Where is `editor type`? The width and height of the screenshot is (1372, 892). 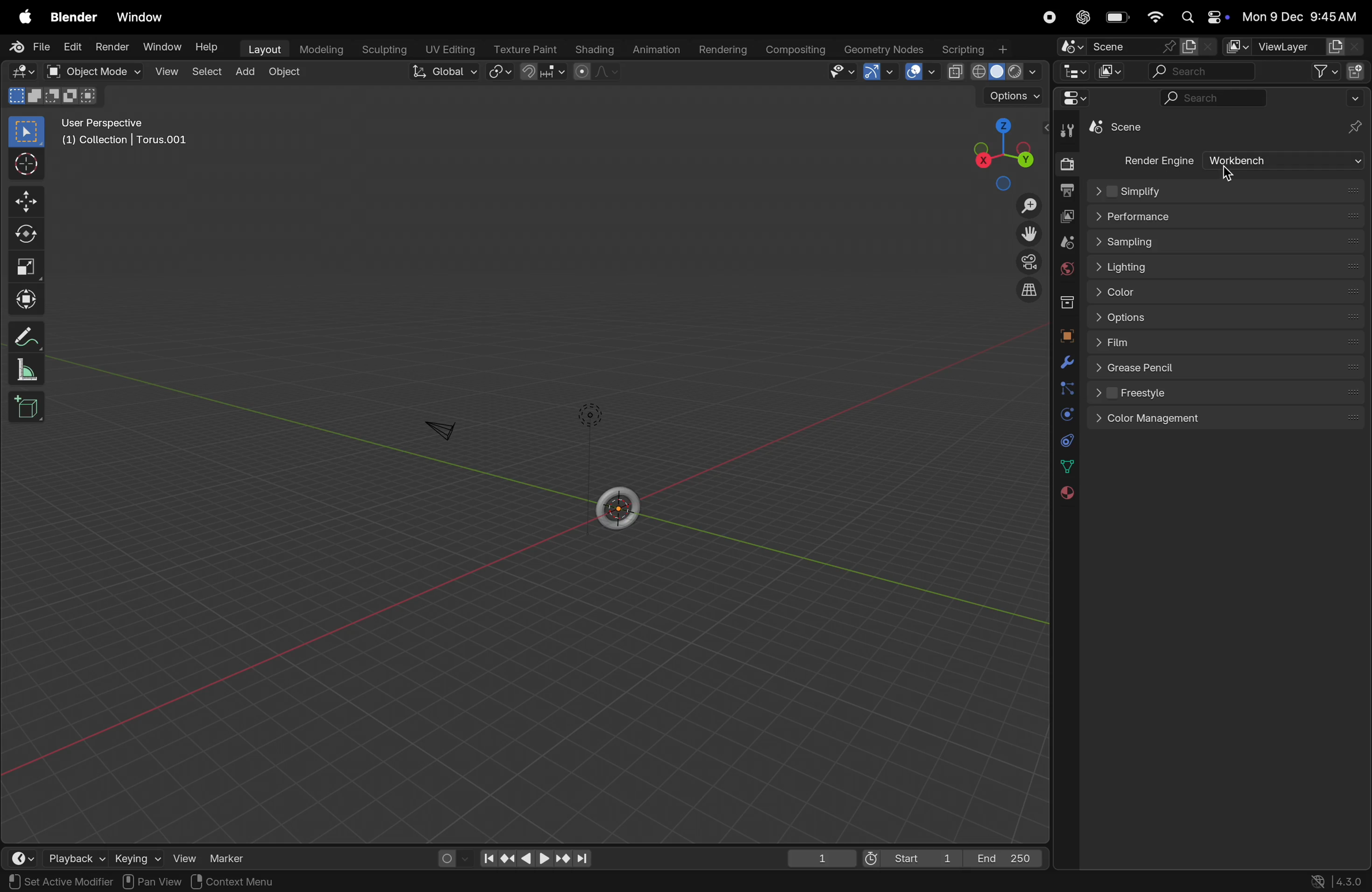 editor type is located at coordinates (19, 71).